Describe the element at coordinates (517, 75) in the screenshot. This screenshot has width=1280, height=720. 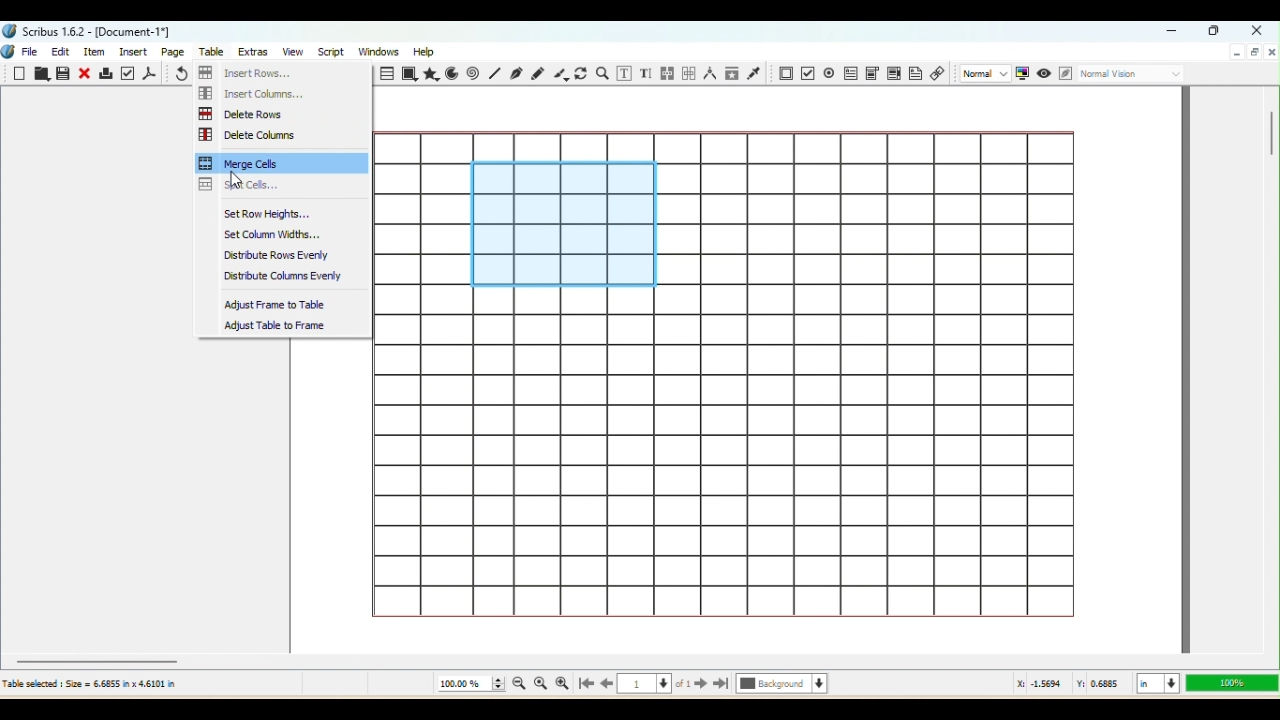
I see `Bezier curve` at that location.